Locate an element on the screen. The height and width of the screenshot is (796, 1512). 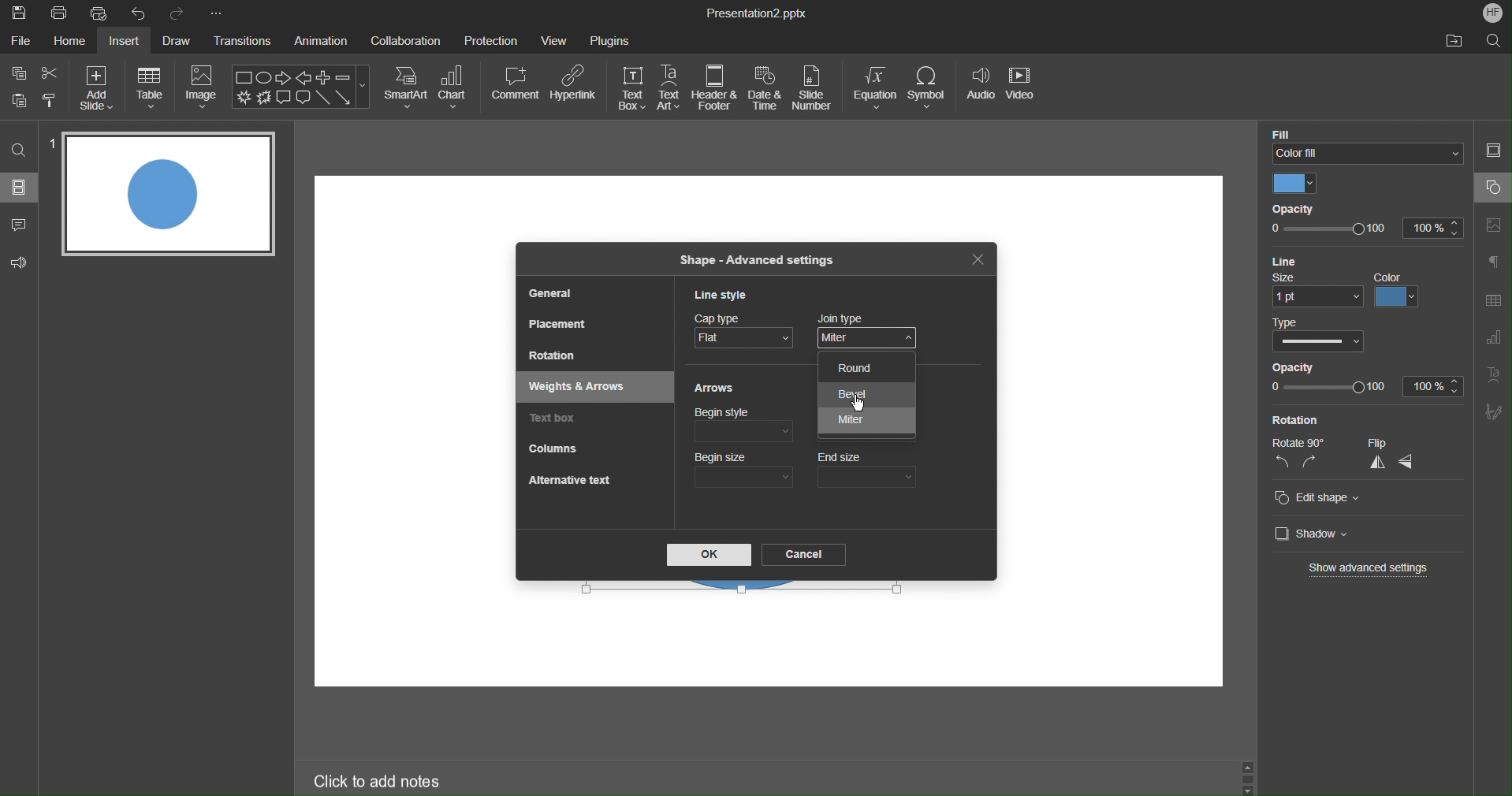
Slide Settings is located at coordinates (1493, 153).